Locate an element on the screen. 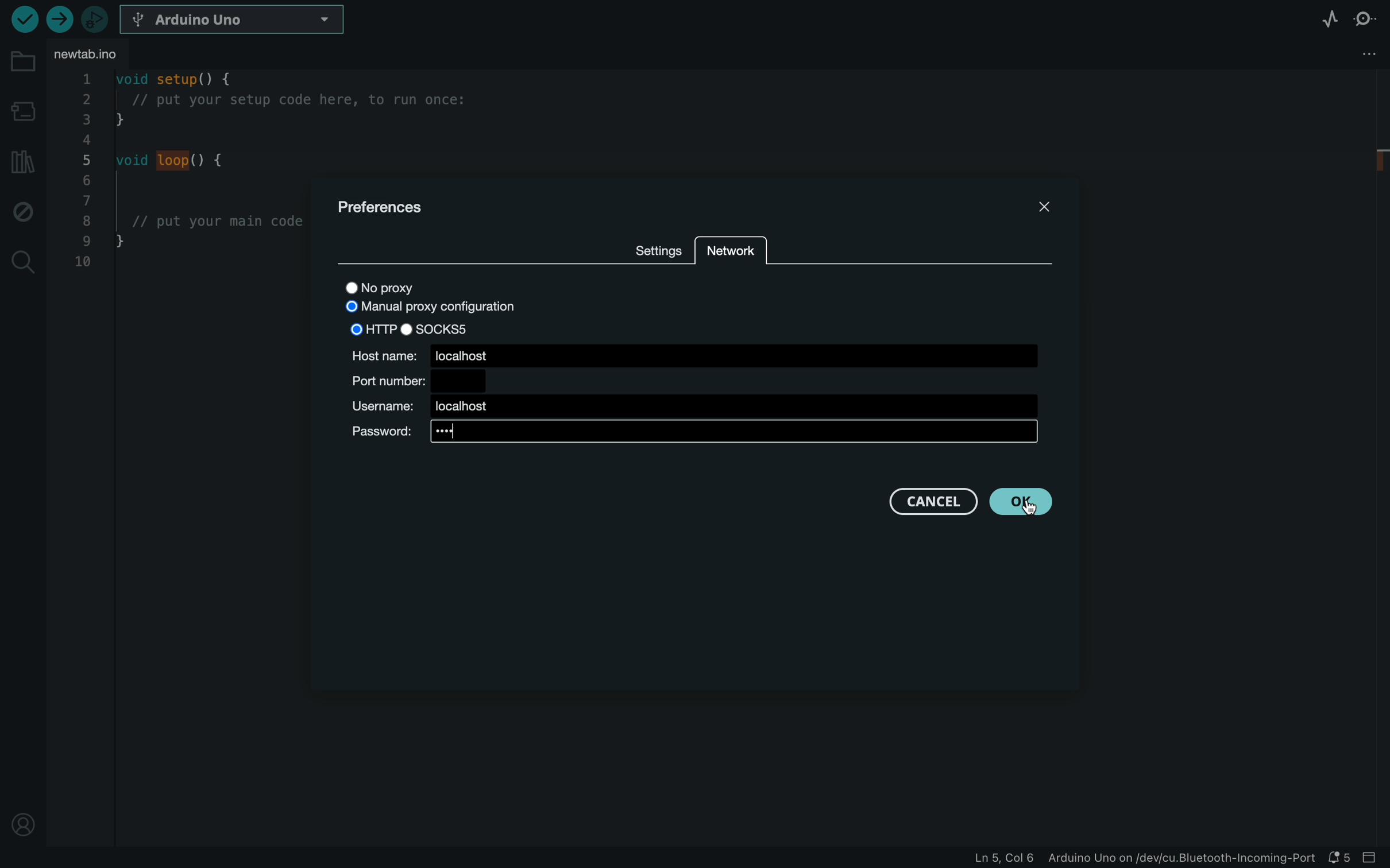 The image size is (1390, 868). HTTP  is located at coordinates (372, 328).